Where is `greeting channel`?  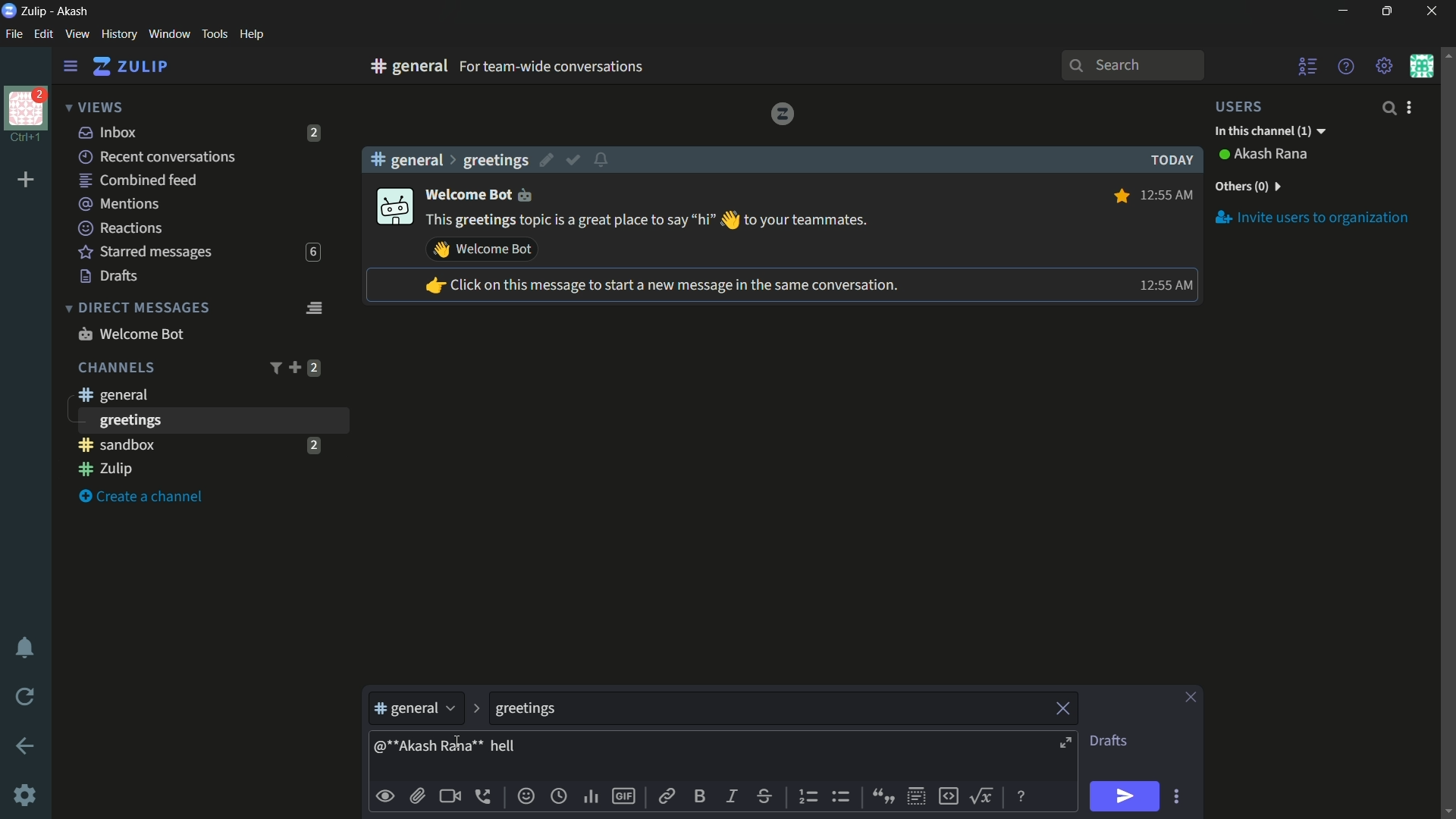
greeting channel is located at coordinates (212, 420).